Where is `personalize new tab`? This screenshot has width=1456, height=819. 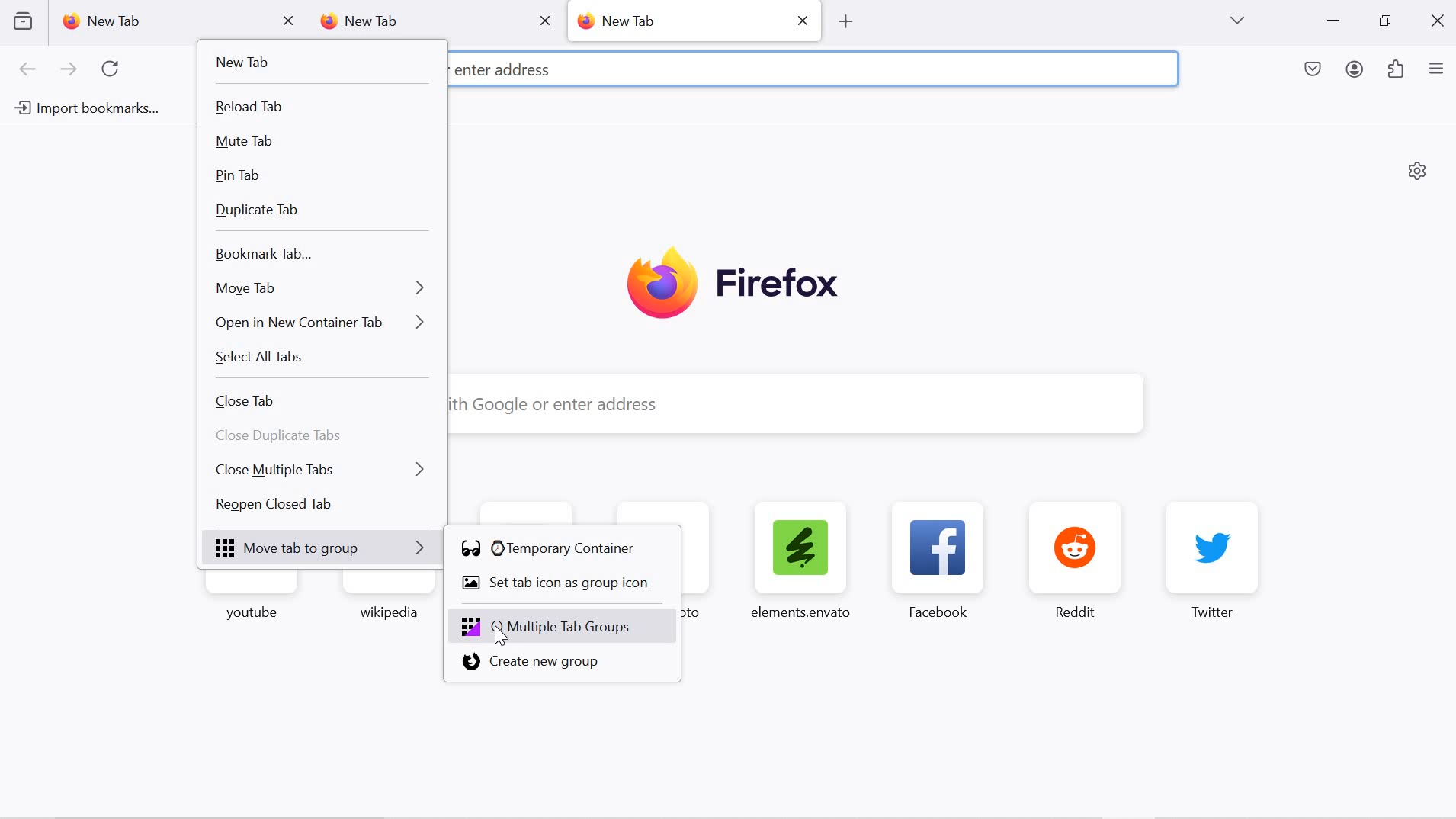 personalize new tab is located at coordinates (1418, 170).